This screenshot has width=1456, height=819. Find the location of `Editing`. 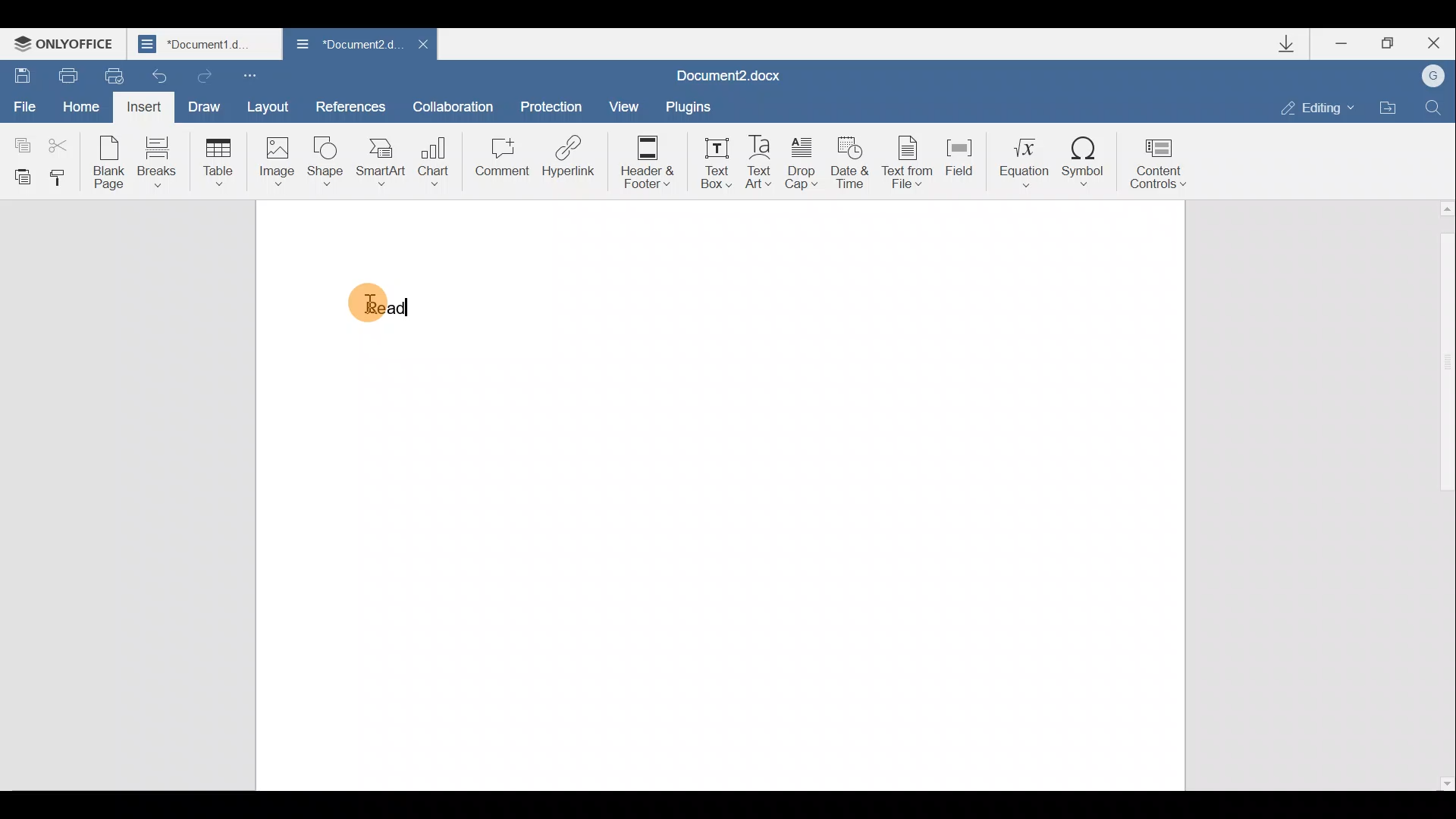

Editing is located at coordinates (1323, 108).